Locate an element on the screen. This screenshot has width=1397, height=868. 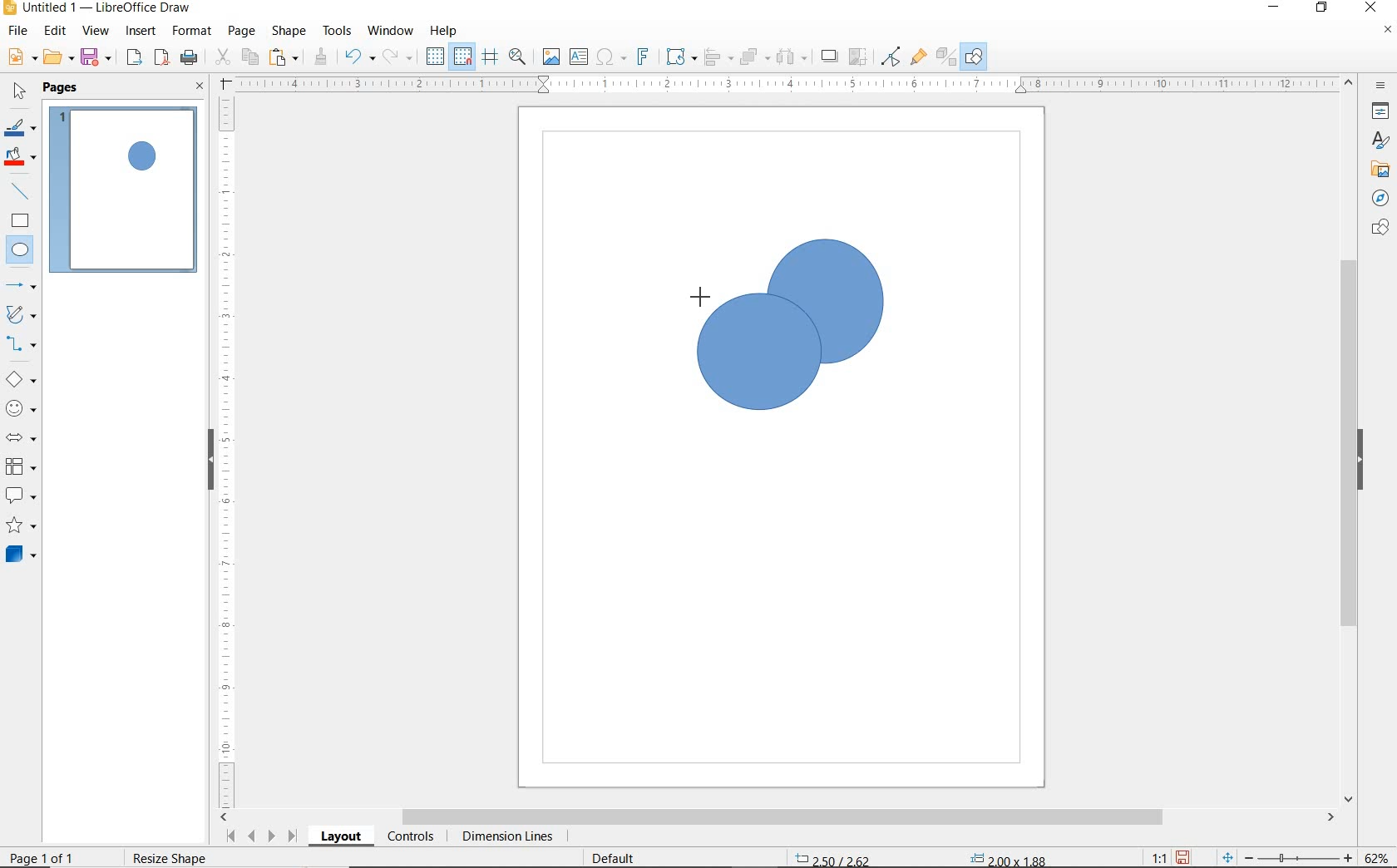
DIMENSION LINES is located at coordinates (505, 838).